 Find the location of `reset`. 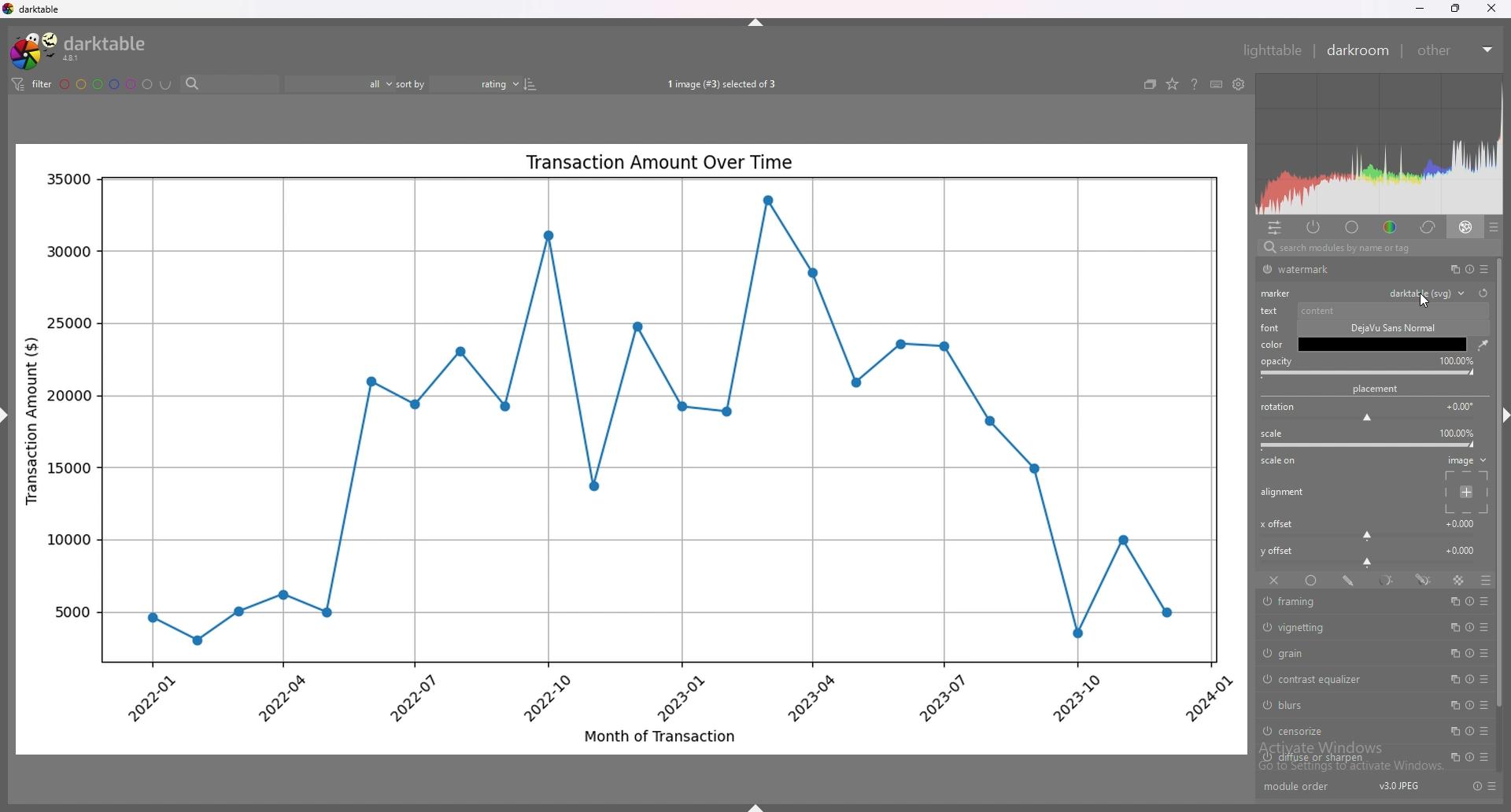

reset is located at coordinates (1468, 269).